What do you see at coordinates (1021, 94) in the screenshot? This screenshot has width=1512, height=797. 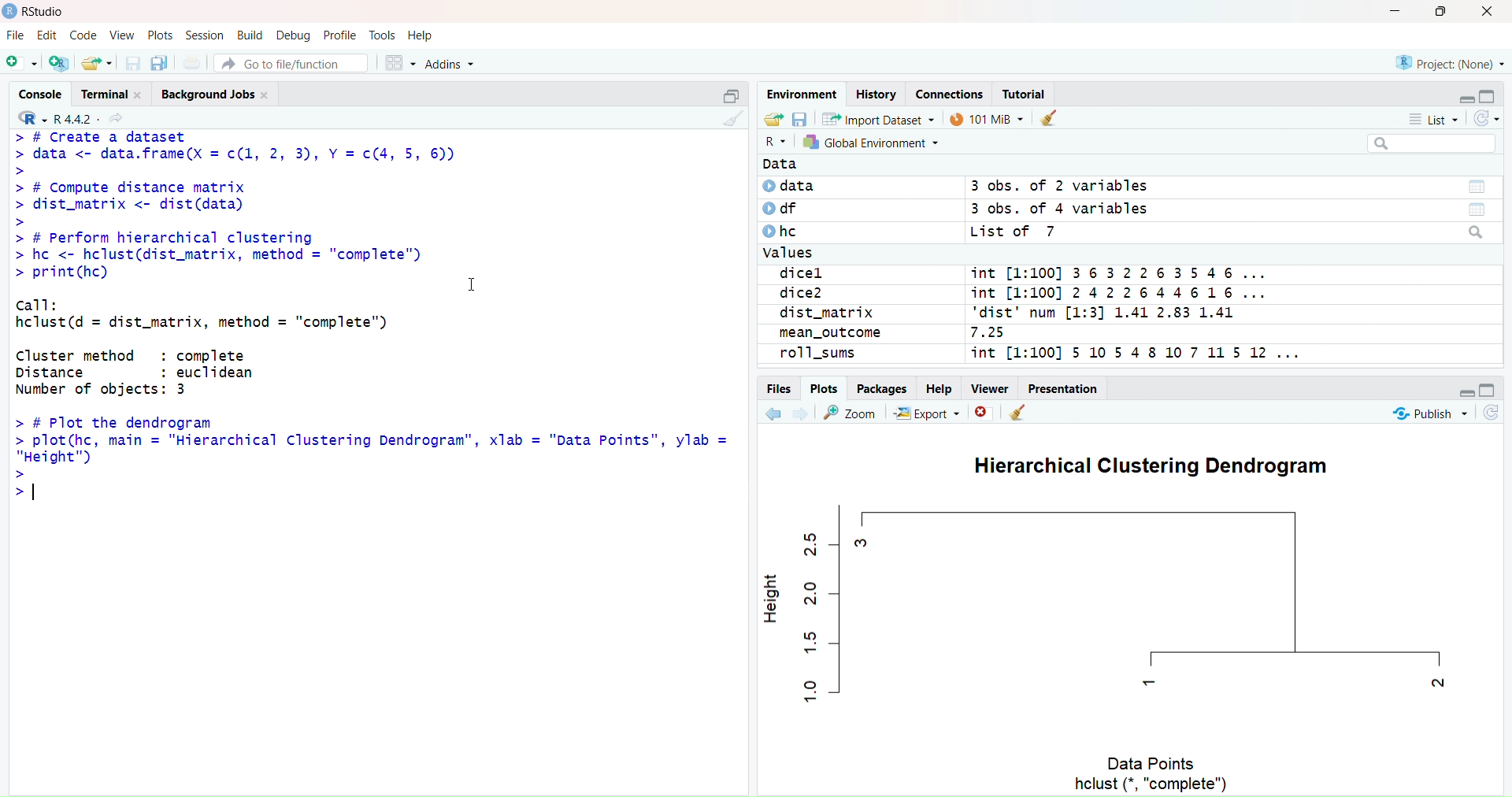 I see `Tutorial` at bounding box center [1021, 94].